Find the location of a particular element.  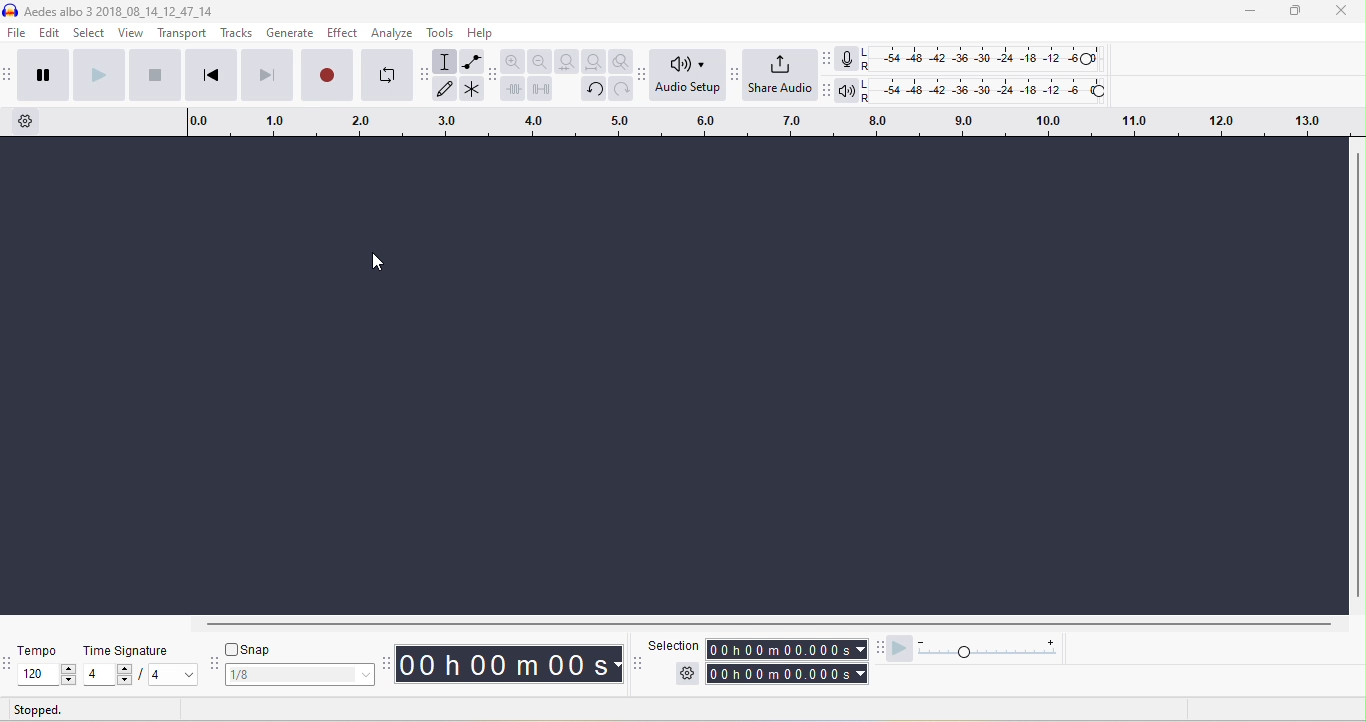

click to drag time looping region is located at coordinates (772, 121).